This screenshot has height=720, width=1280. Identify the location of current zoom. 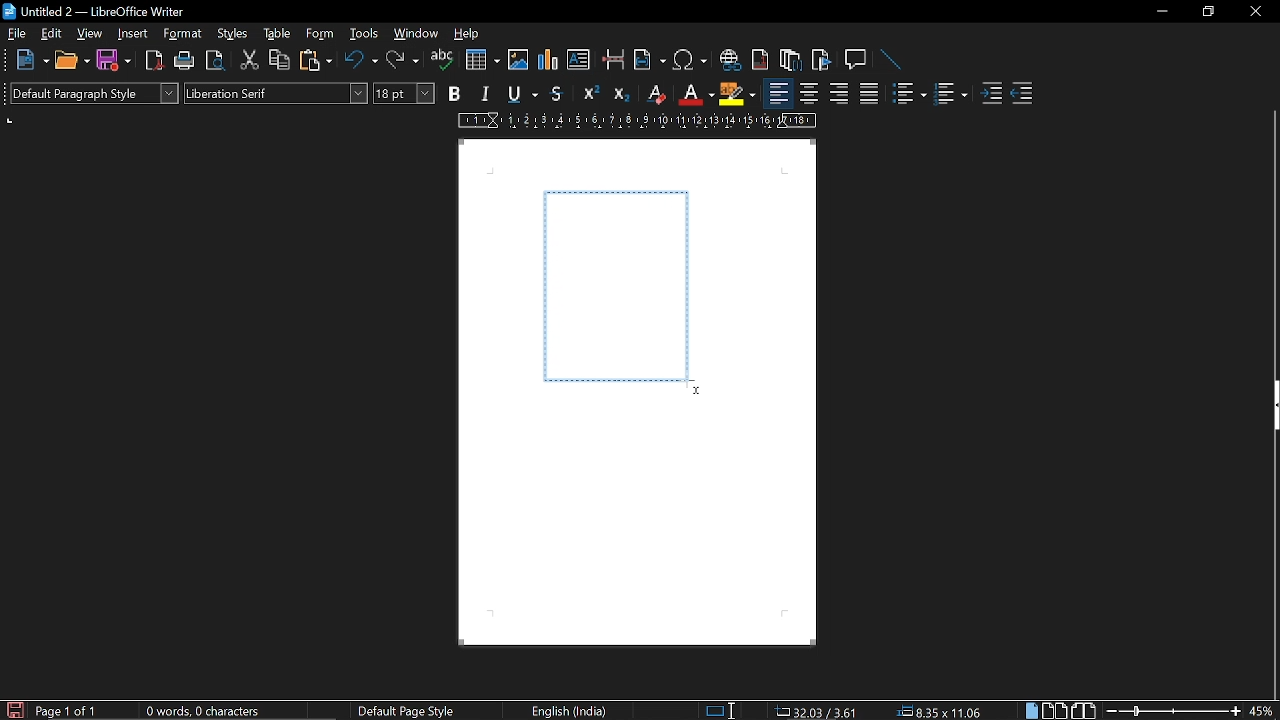
(1262, 711).